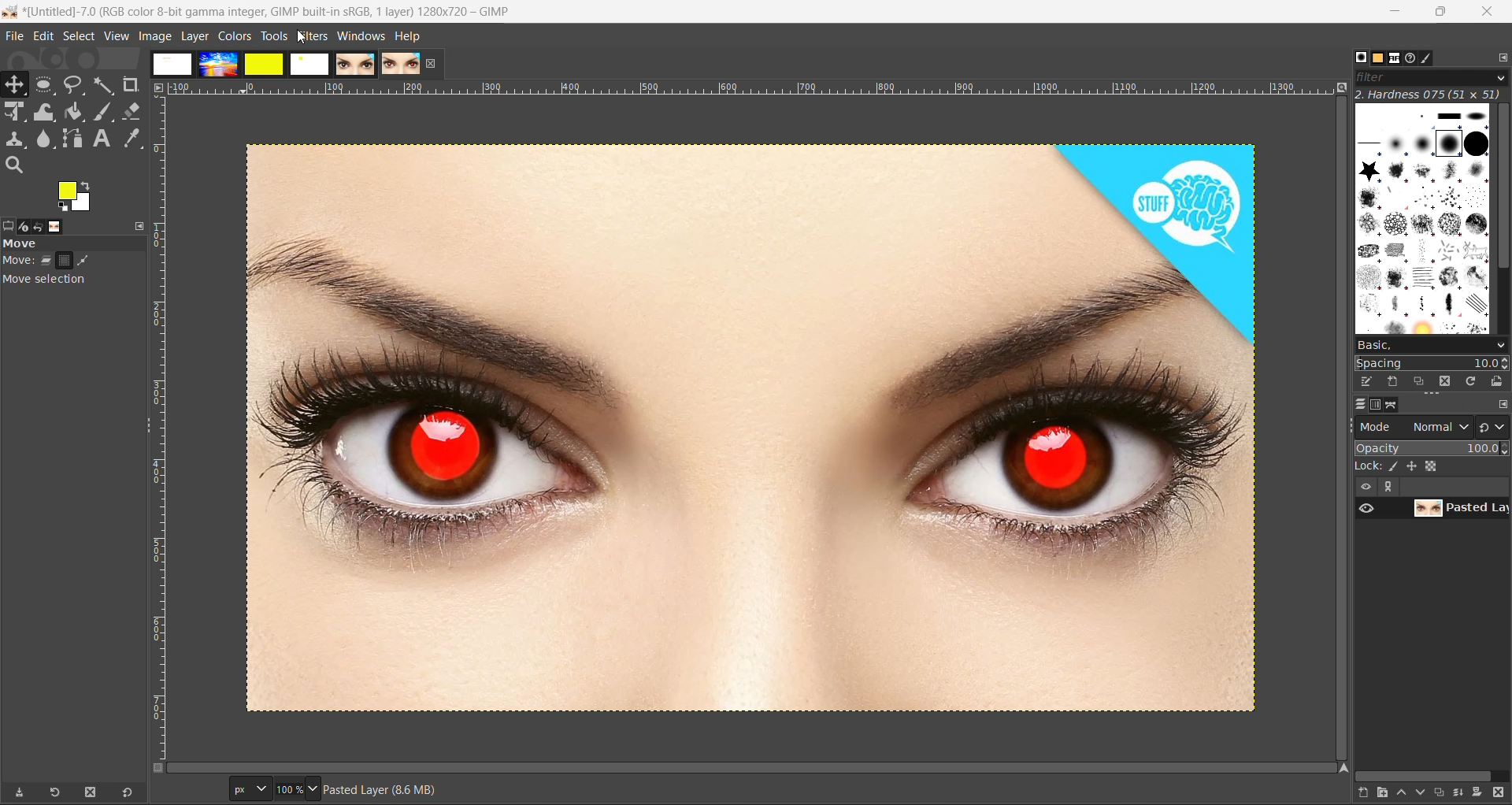 The height and width of the screenshot is (805, 1512). What do you see at coordinates (75, 112) in the screenshot?
I see `paint bucket` at bounding box center [75, 112].